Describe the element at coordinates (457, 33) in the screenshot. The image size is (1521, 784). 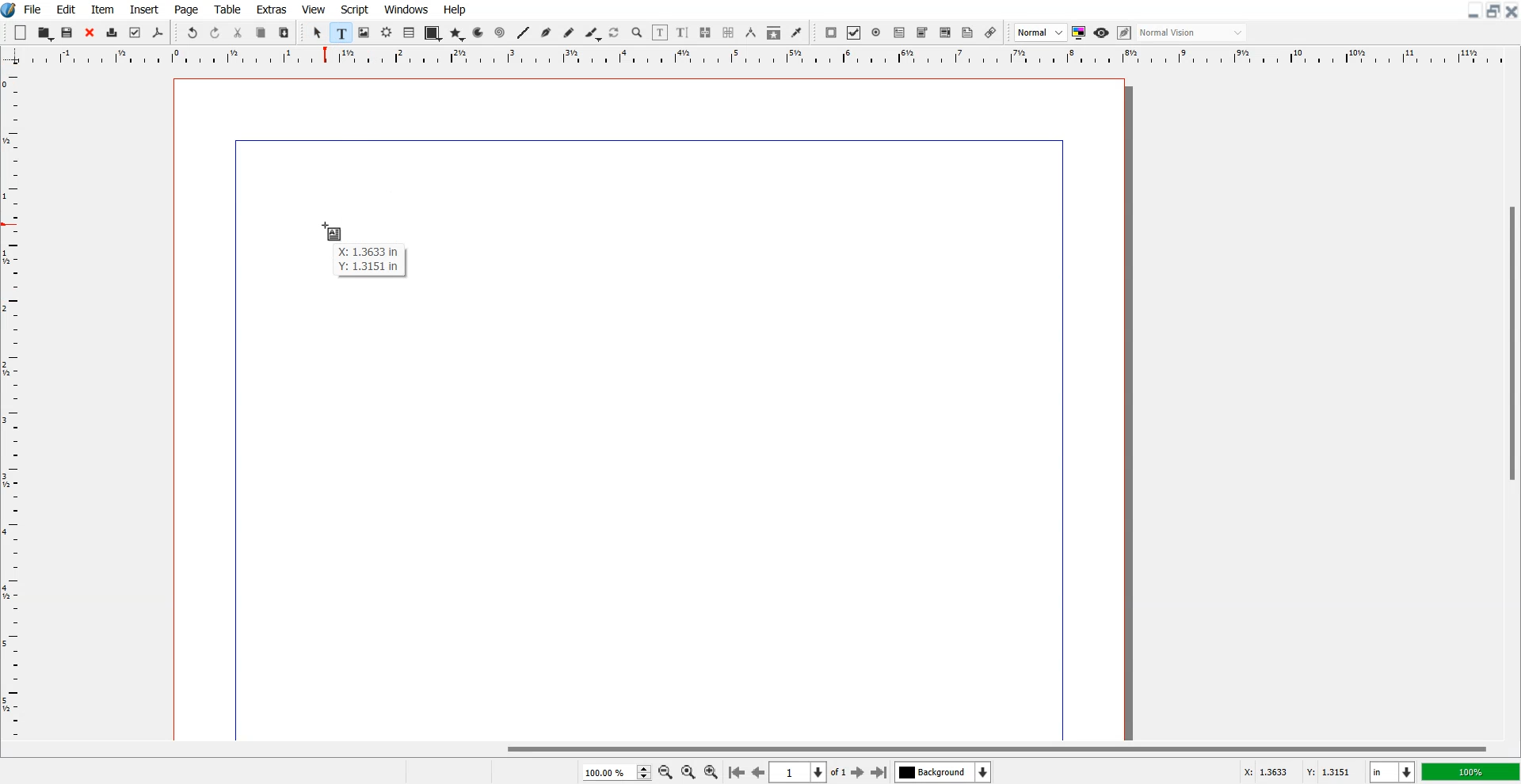
I see `Polygon` at that location.